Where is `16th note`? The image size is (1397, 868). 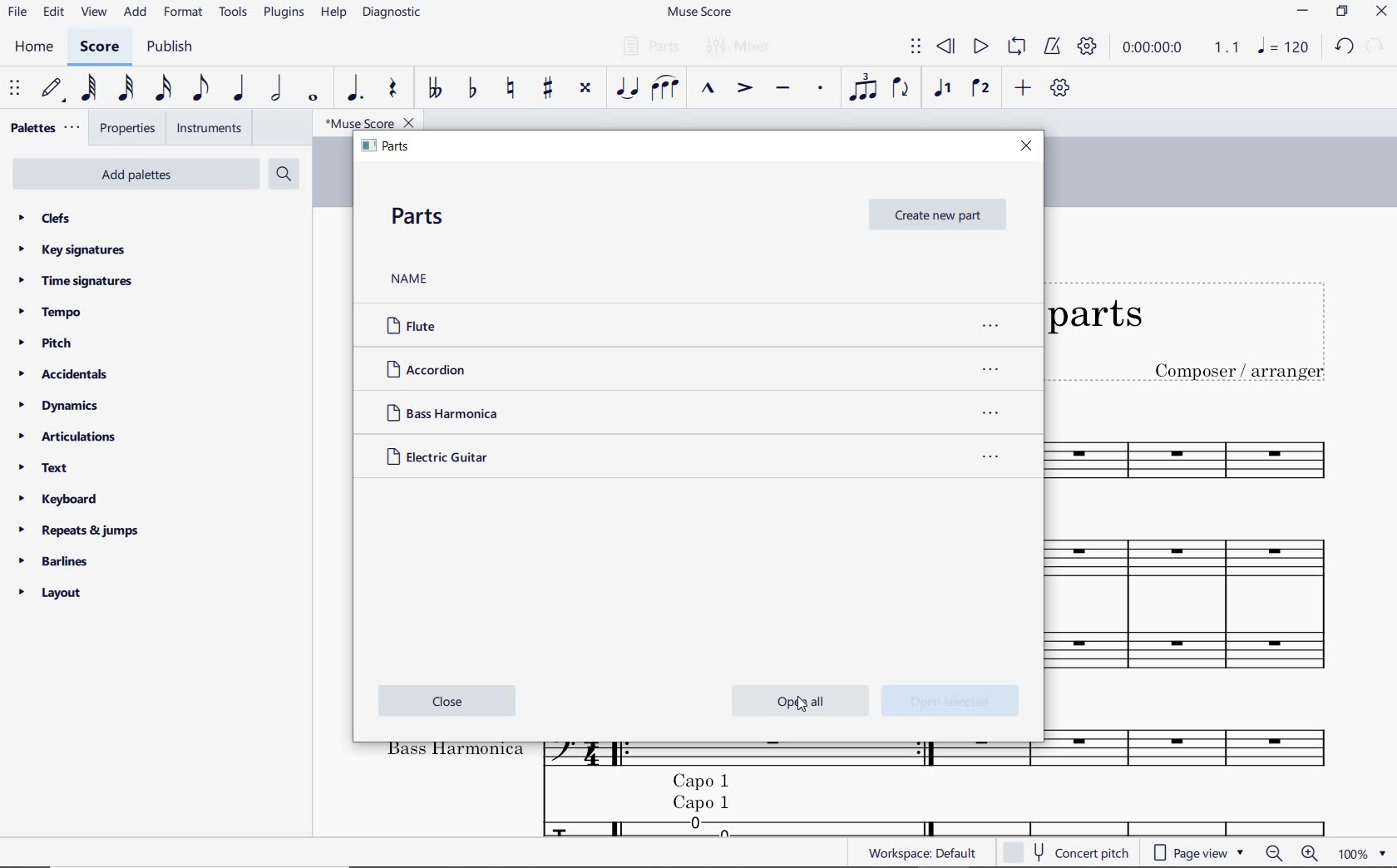 16th note is located at coordinates (163, 86).